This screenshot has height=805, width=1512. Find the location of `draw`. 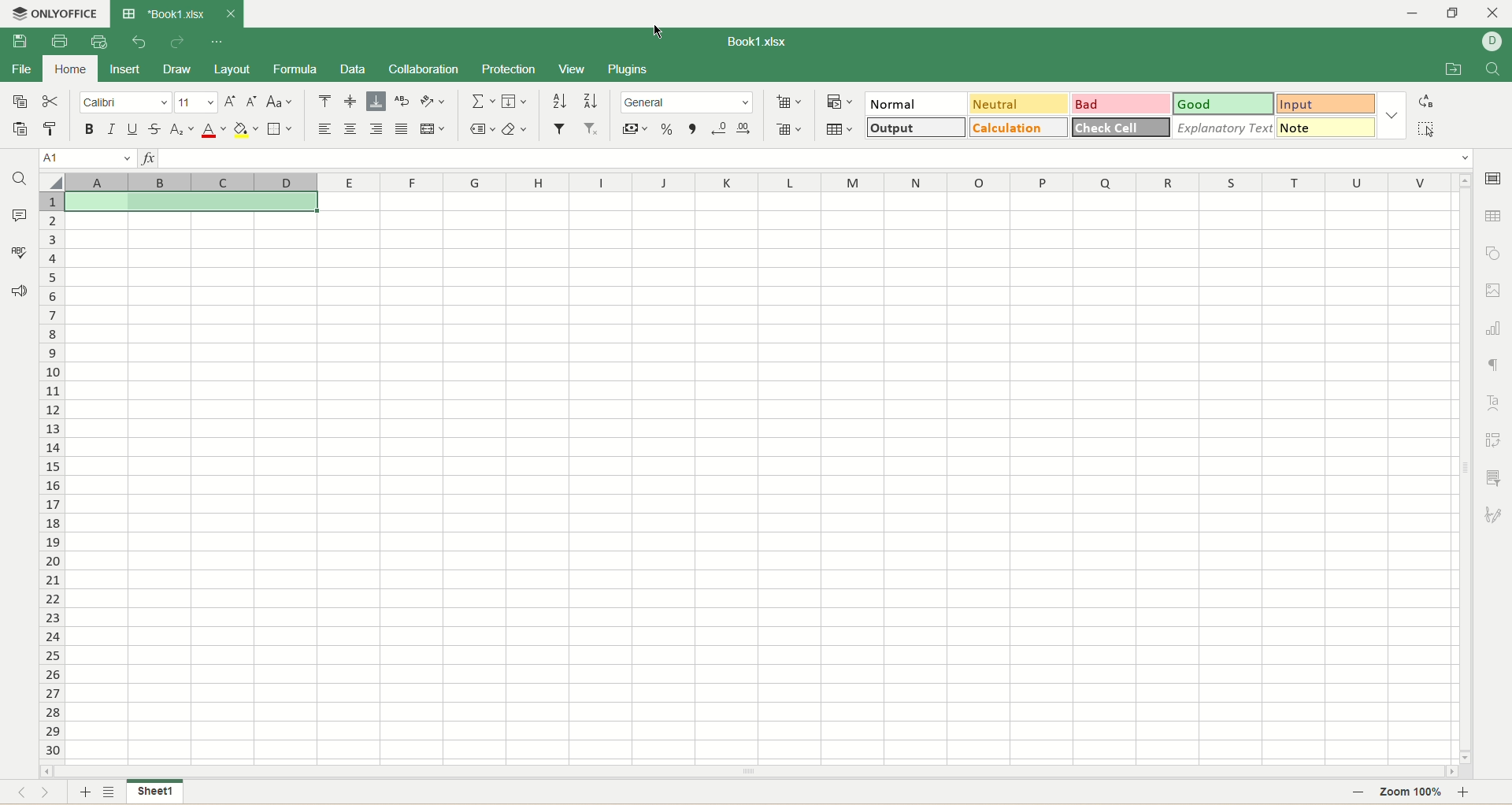

draw is located at coordinates (176, 70).